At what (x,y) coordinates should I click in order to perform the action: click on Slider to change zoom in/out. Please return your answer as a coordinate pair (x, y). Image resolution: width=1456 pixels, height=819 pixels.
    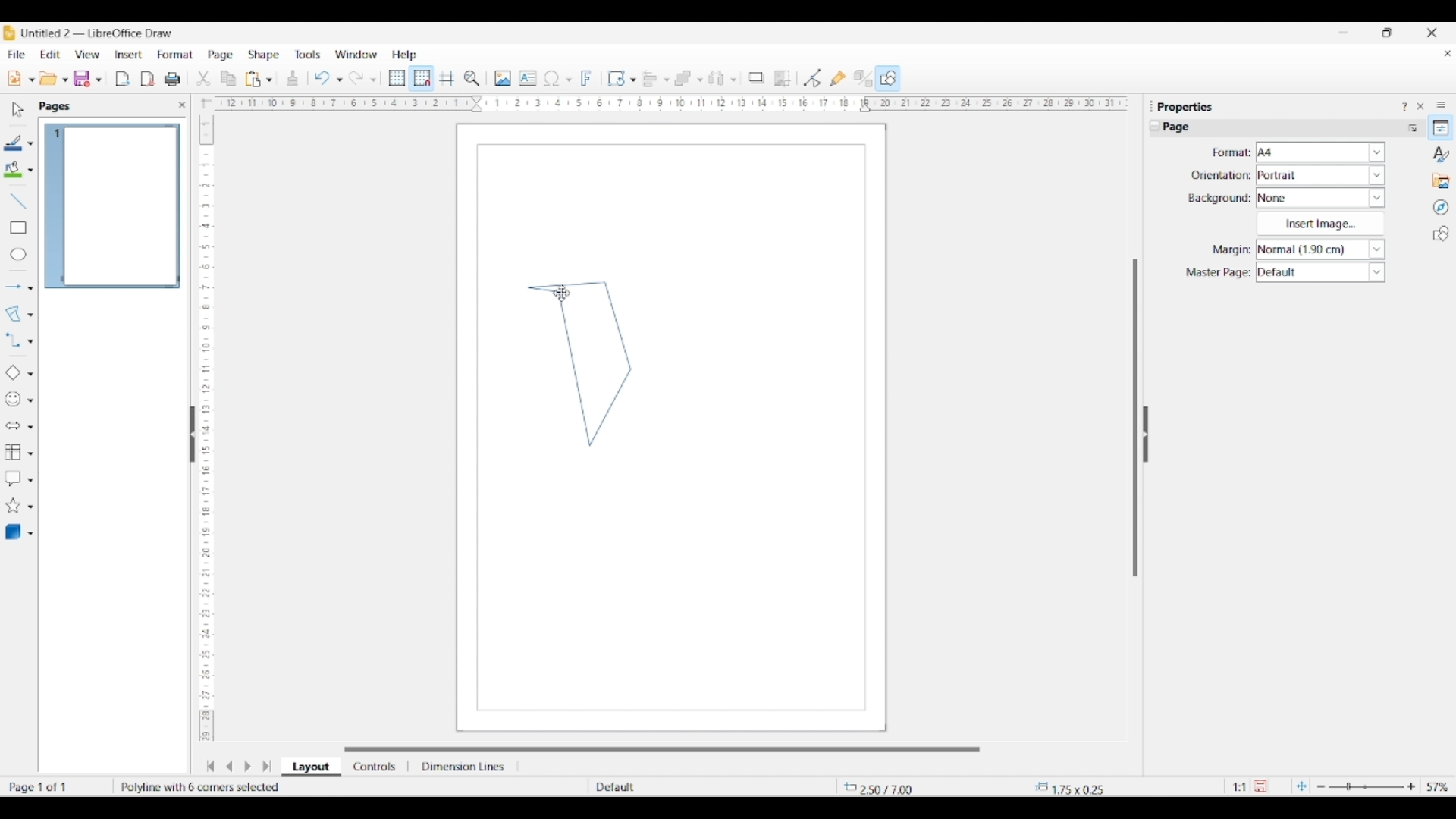
    Looking at the image, I should click on (1366, 786).